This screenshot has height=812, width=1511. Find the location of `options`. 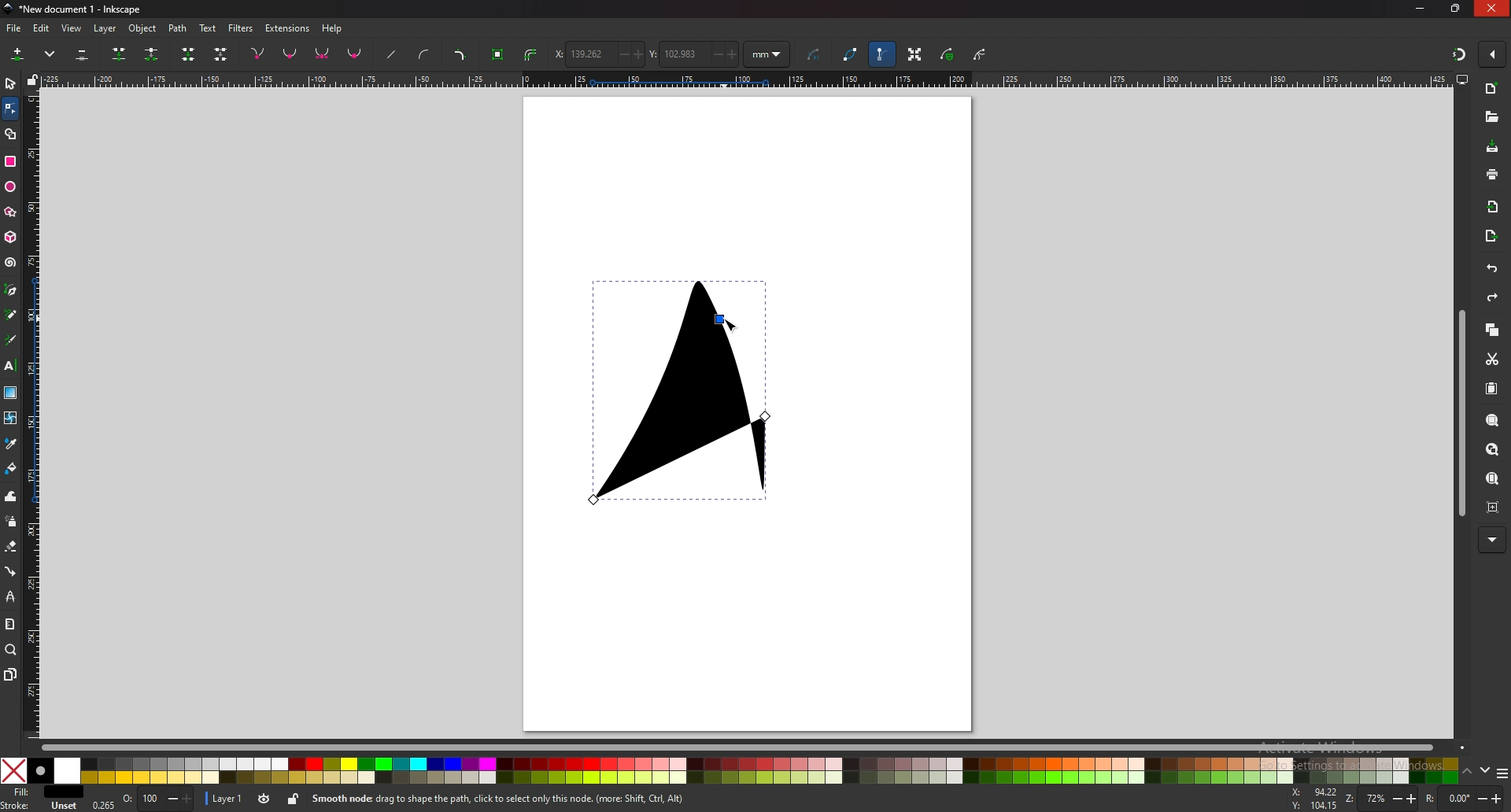

options is located at coordinates (1502, 773).